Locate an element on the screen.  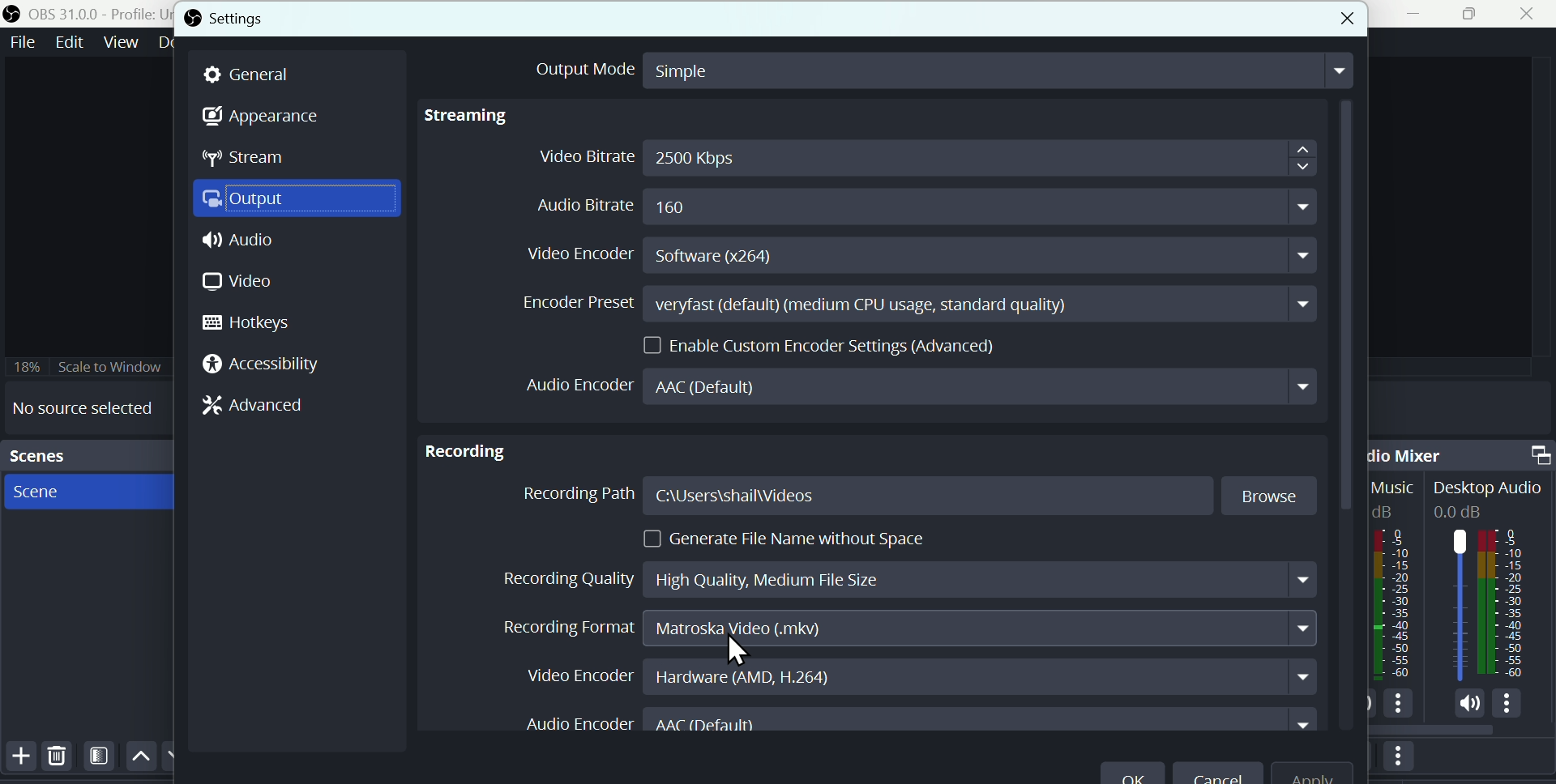
hotkeys is located at coordinates (251, 324).